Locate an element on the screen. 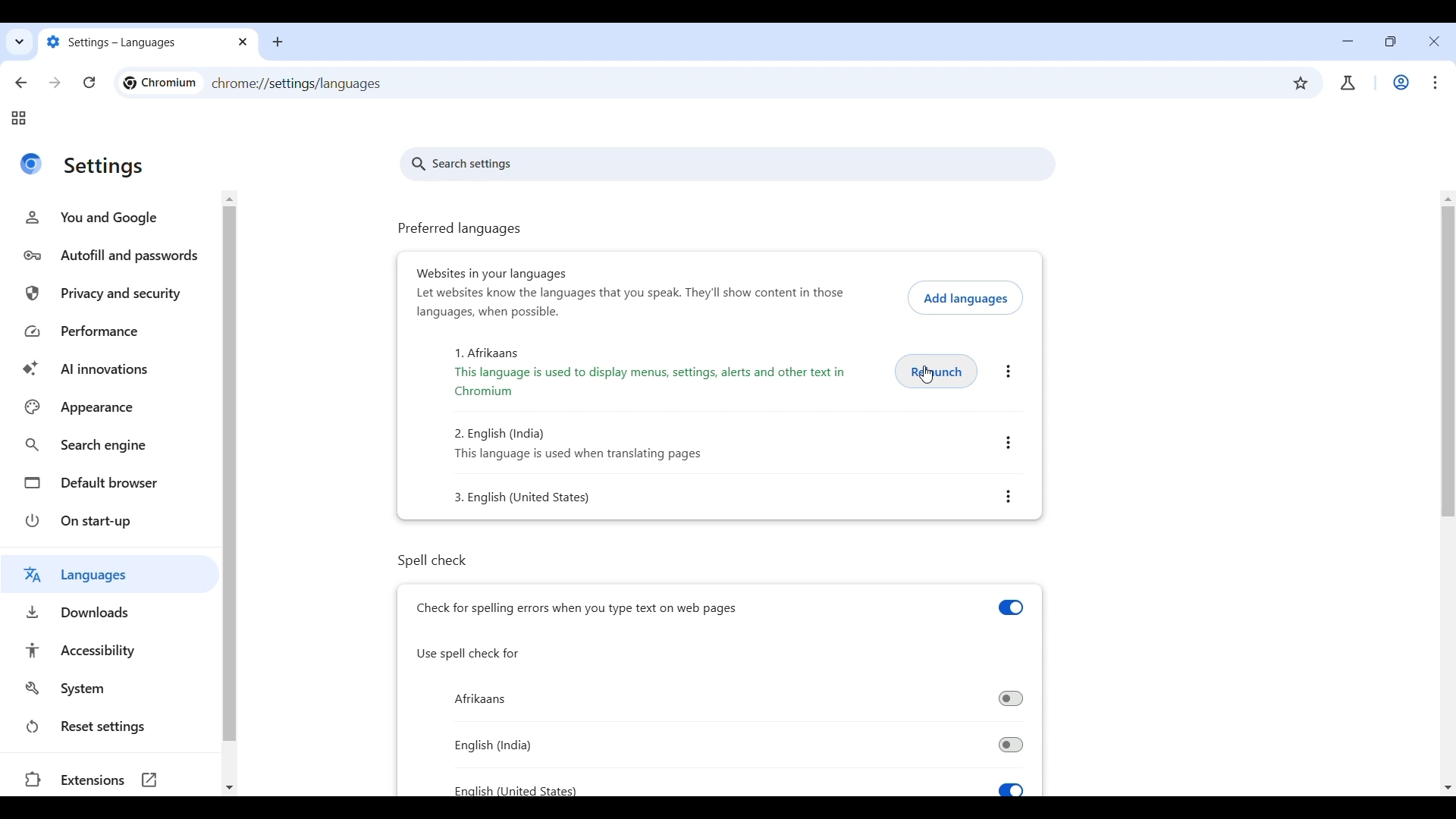 The image size is (1456, 819). Autofill and passwords is located at coordinates (111, 256).